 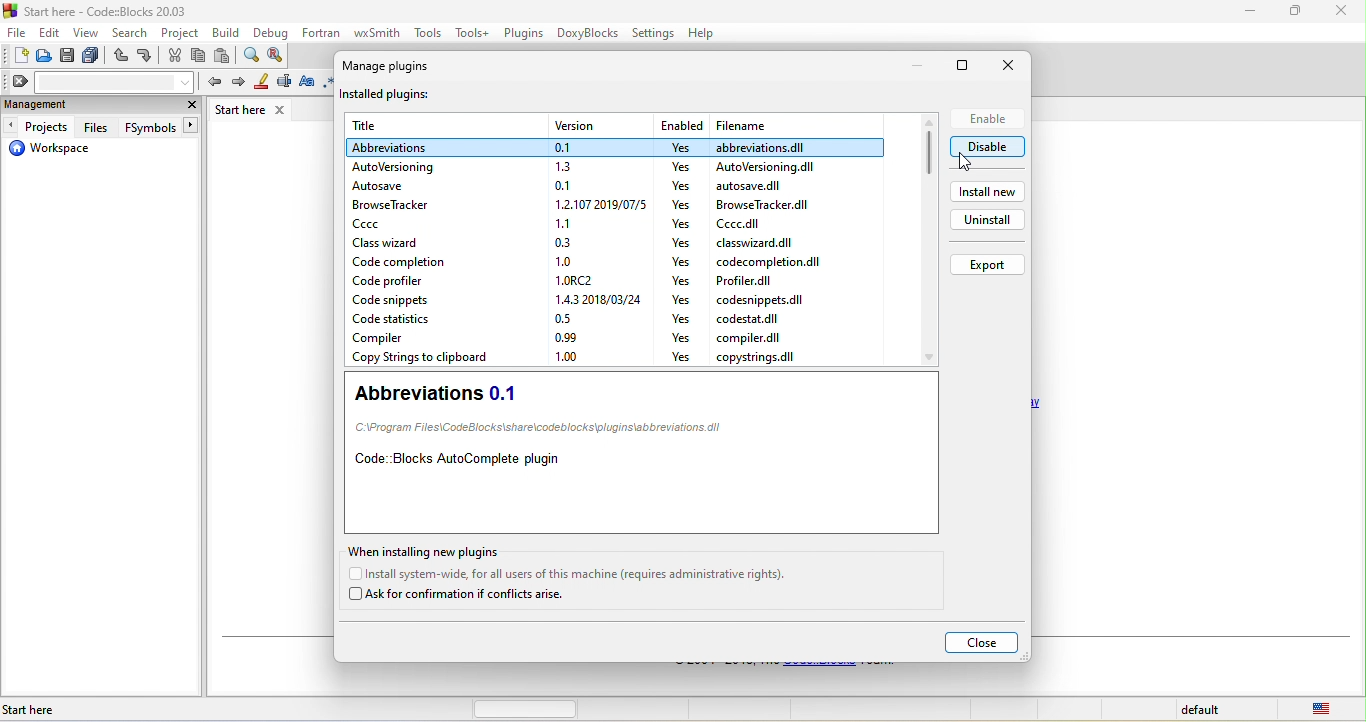 What do you see at coordinates (273, 31) in the screenshot?
I see `debug` at bounding box center [273, 31].